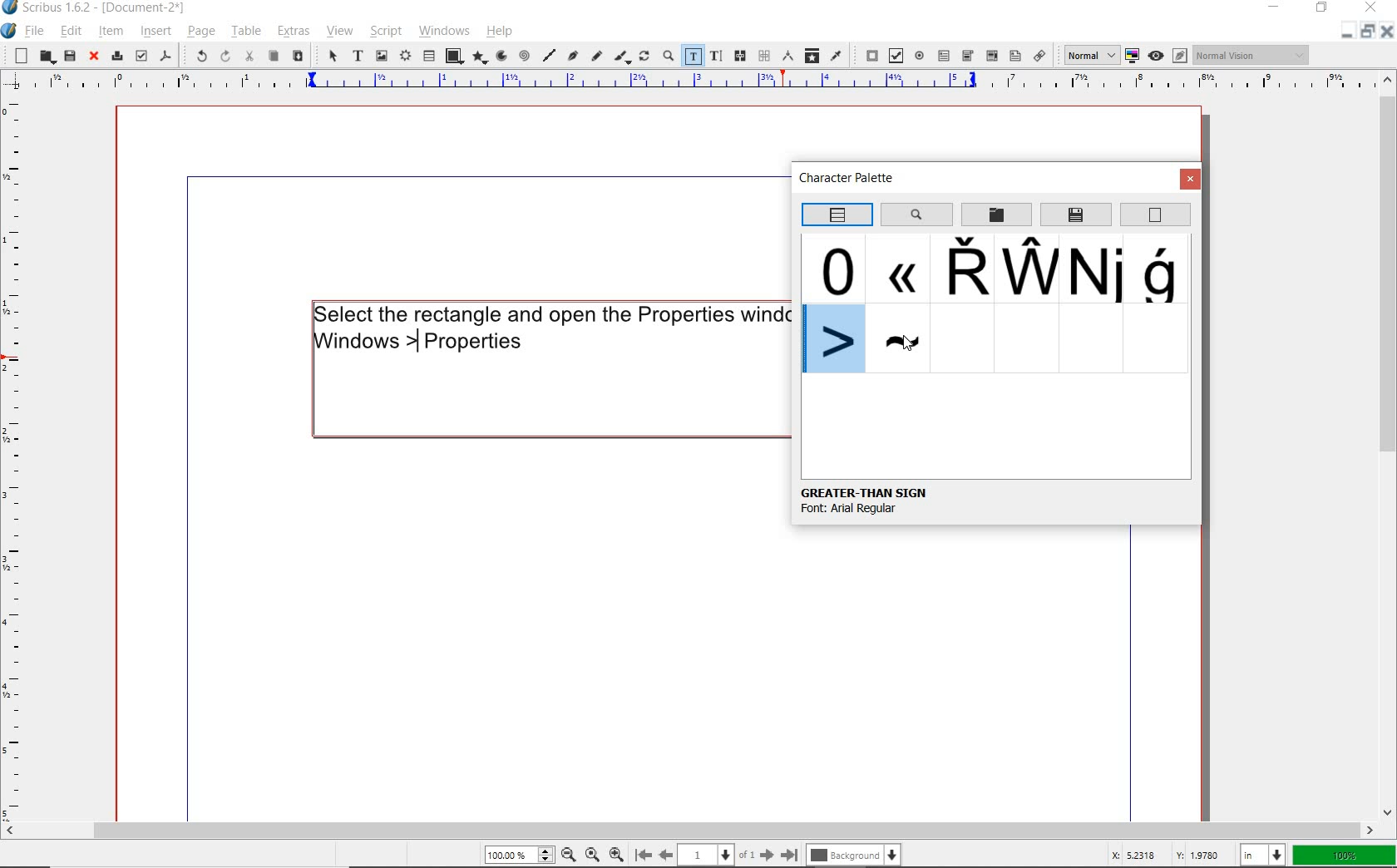 The height and width of the screenshot is (868, 1397). What do you see at coordinates (715, 55) in the screenshot?
I see `edit text with story editor` at bounding box center [715, 55].